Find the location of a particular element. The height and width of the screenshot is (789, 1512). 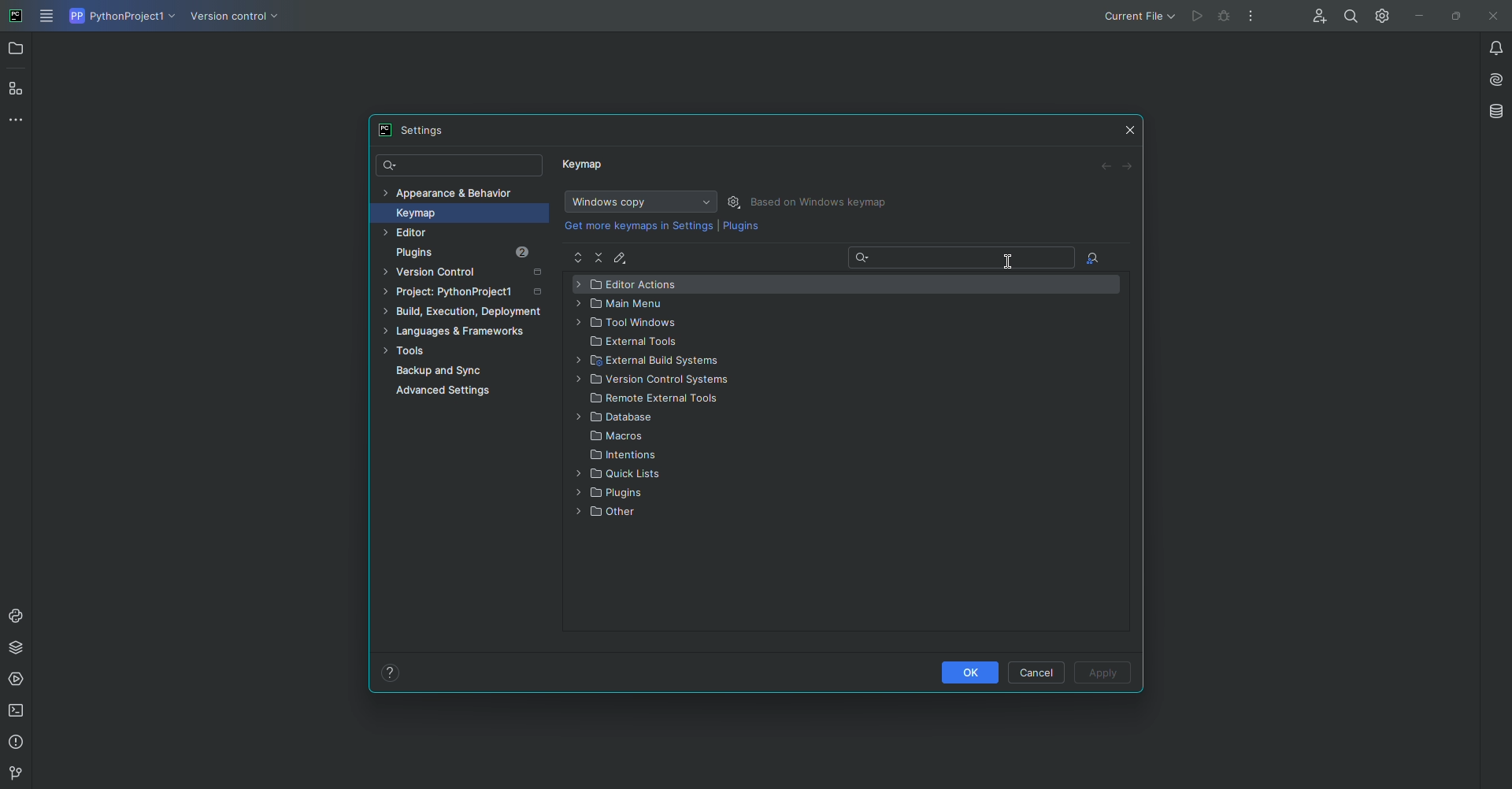

Search is located at coordinates (461, 166).